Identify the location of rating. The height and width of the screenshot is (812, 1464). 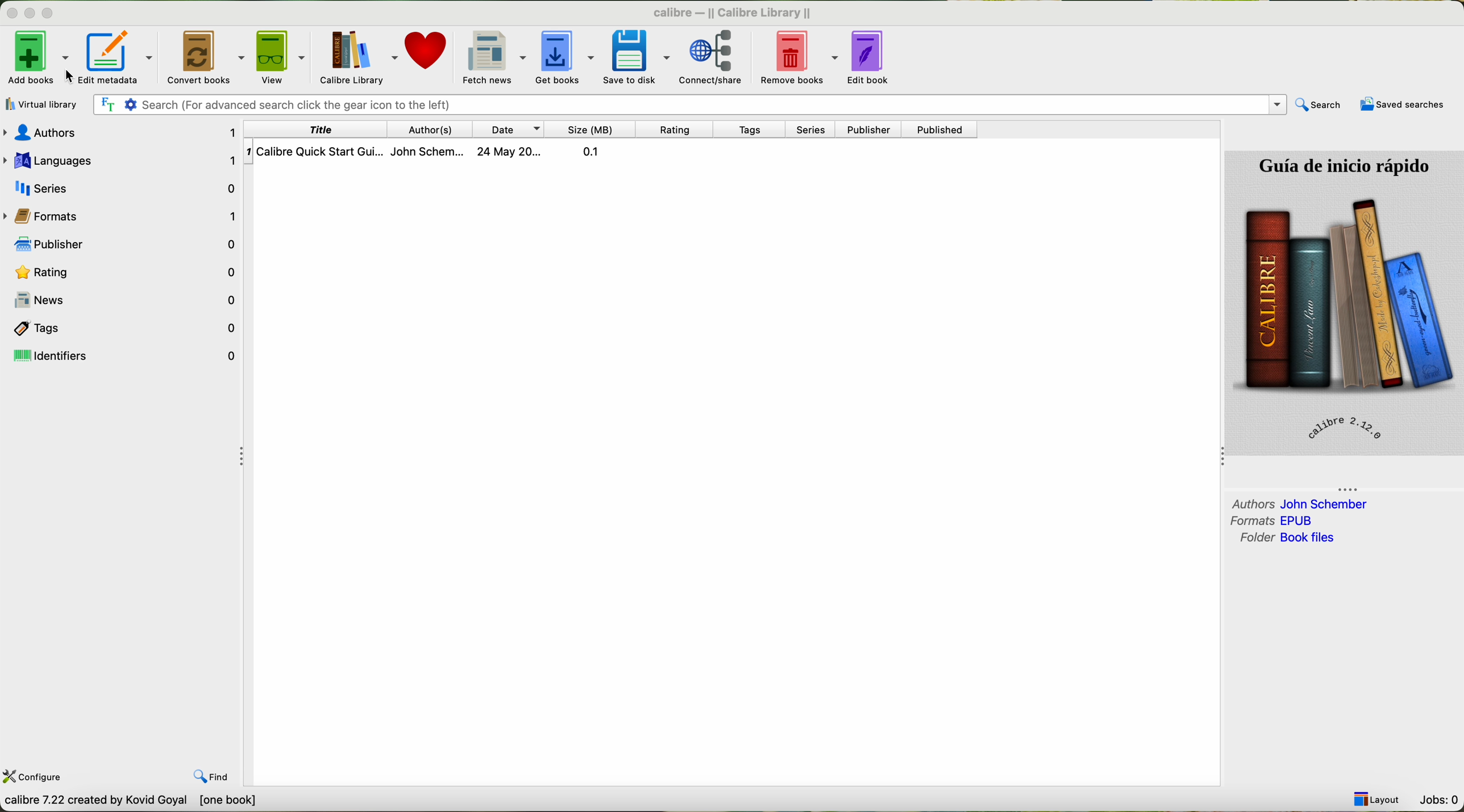
(675, 130).